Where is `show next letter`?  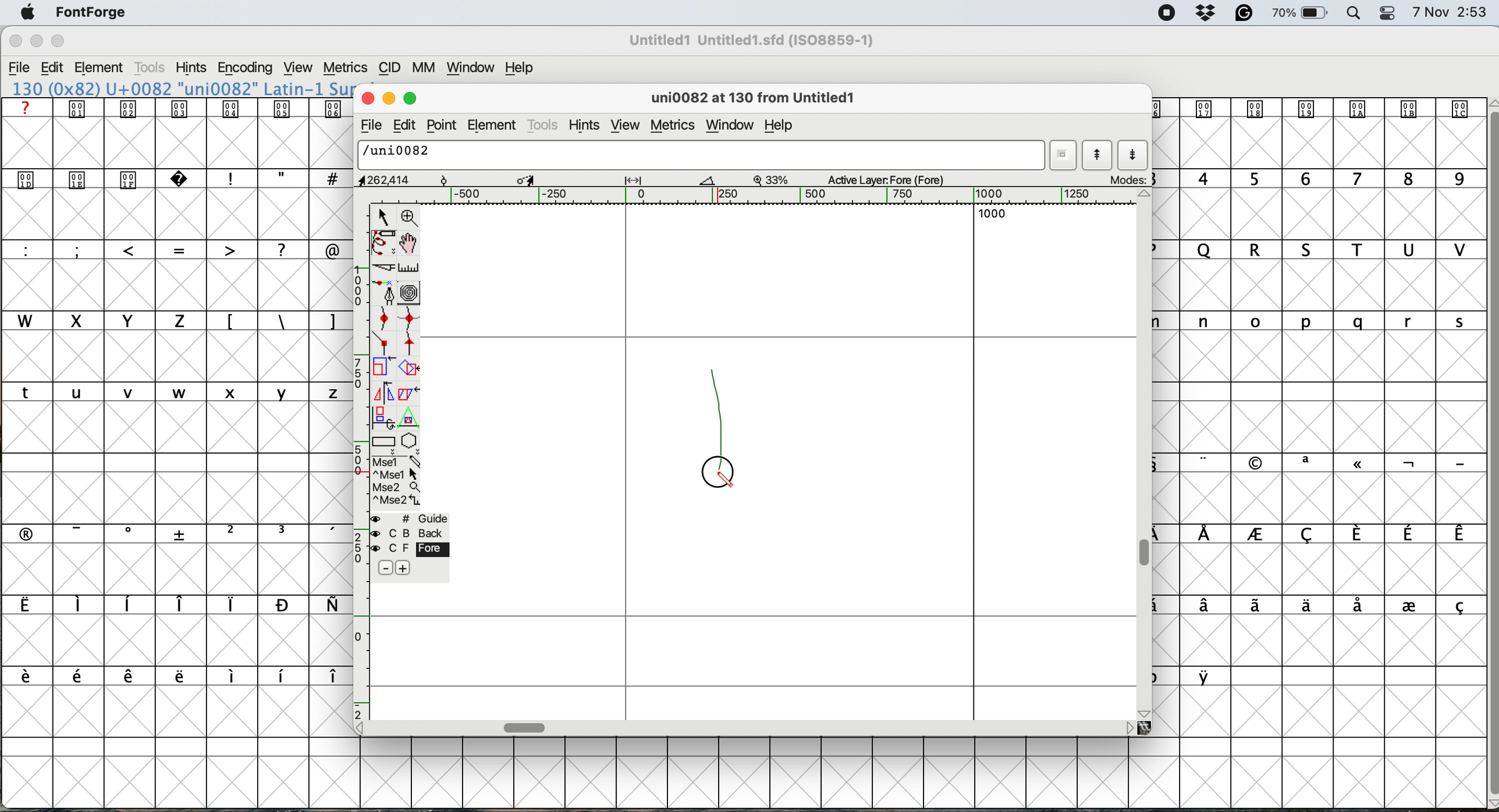 show next letter is located at coordinates (1132, 156).